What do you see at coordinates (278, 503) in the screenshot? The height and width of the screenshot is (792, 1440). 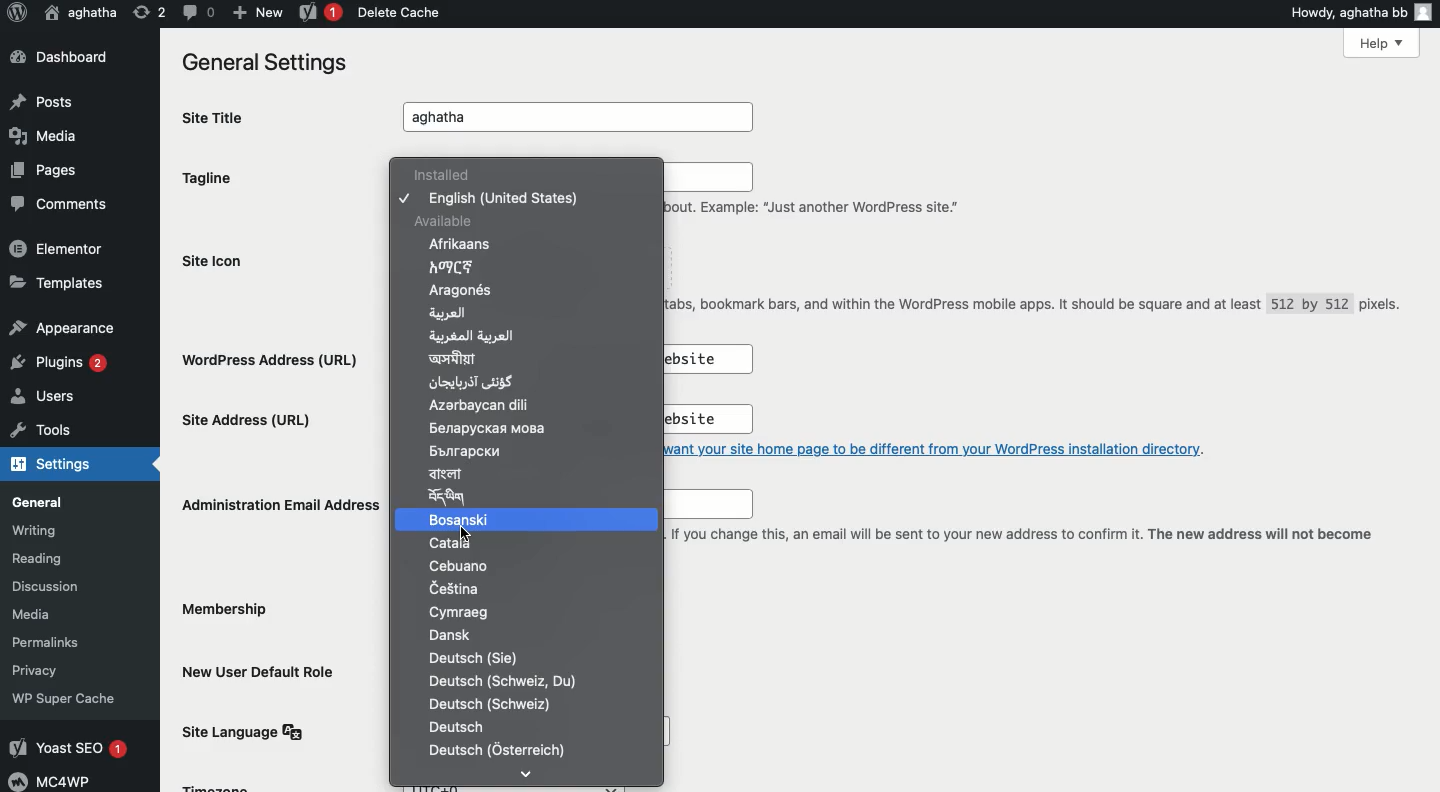 I see `Administration email address` at bounding box center [278, 503].